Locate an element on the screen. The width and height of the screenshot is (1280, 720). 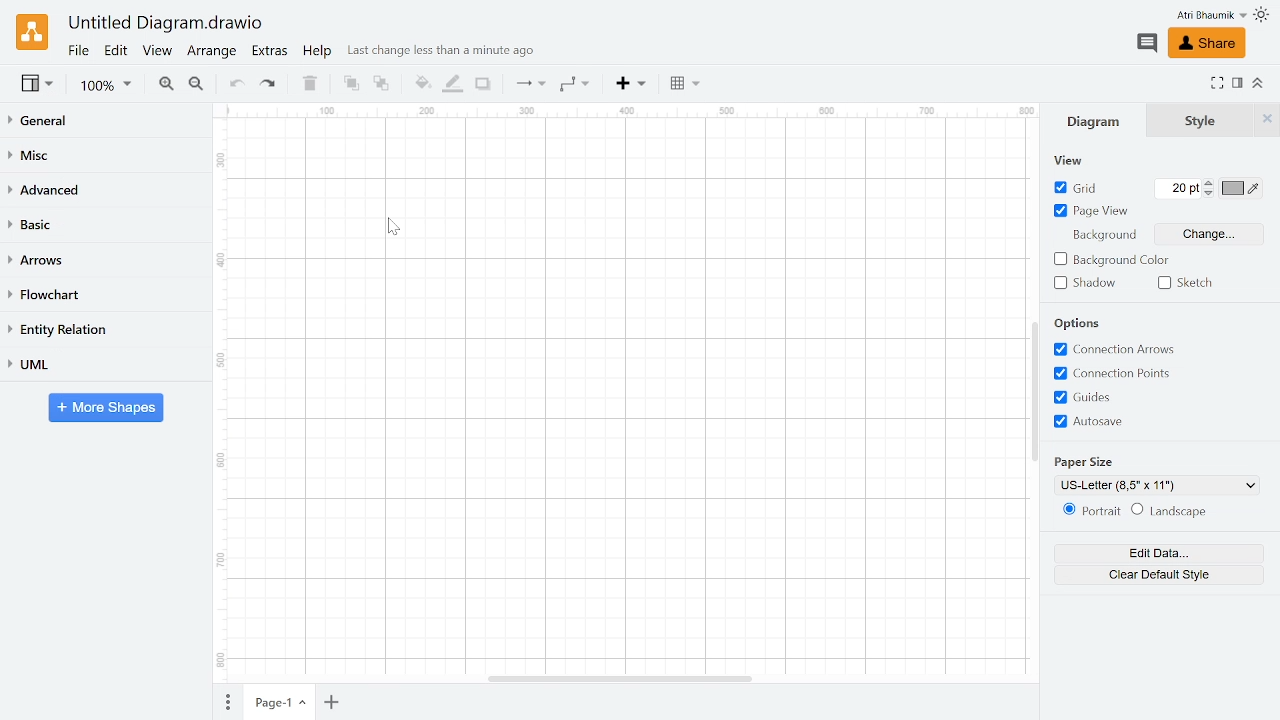
Insert is located at coordinates (631, 85).